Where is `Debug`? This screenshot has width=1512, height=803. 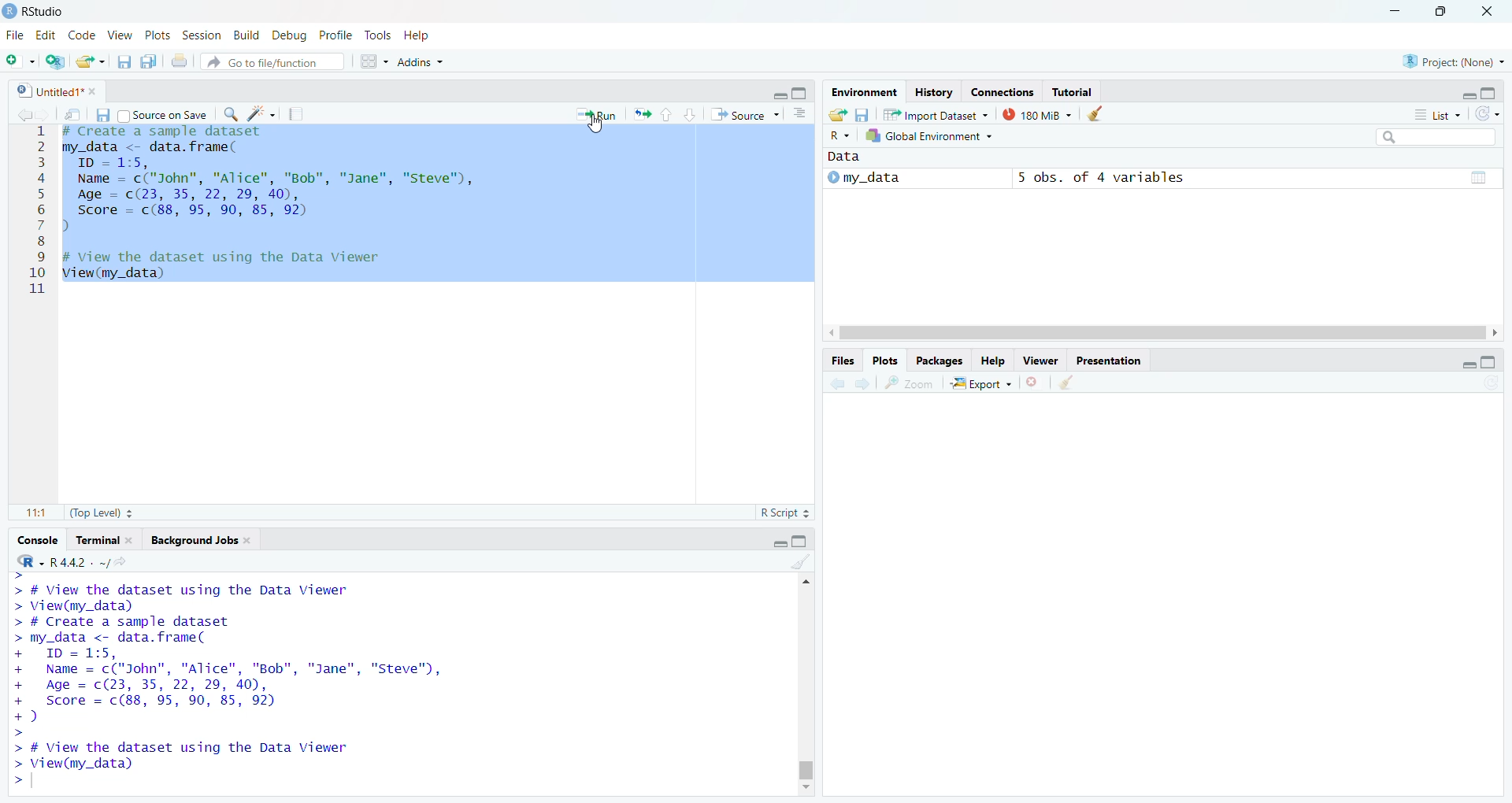
Debug is located at coordinates (290, 36).